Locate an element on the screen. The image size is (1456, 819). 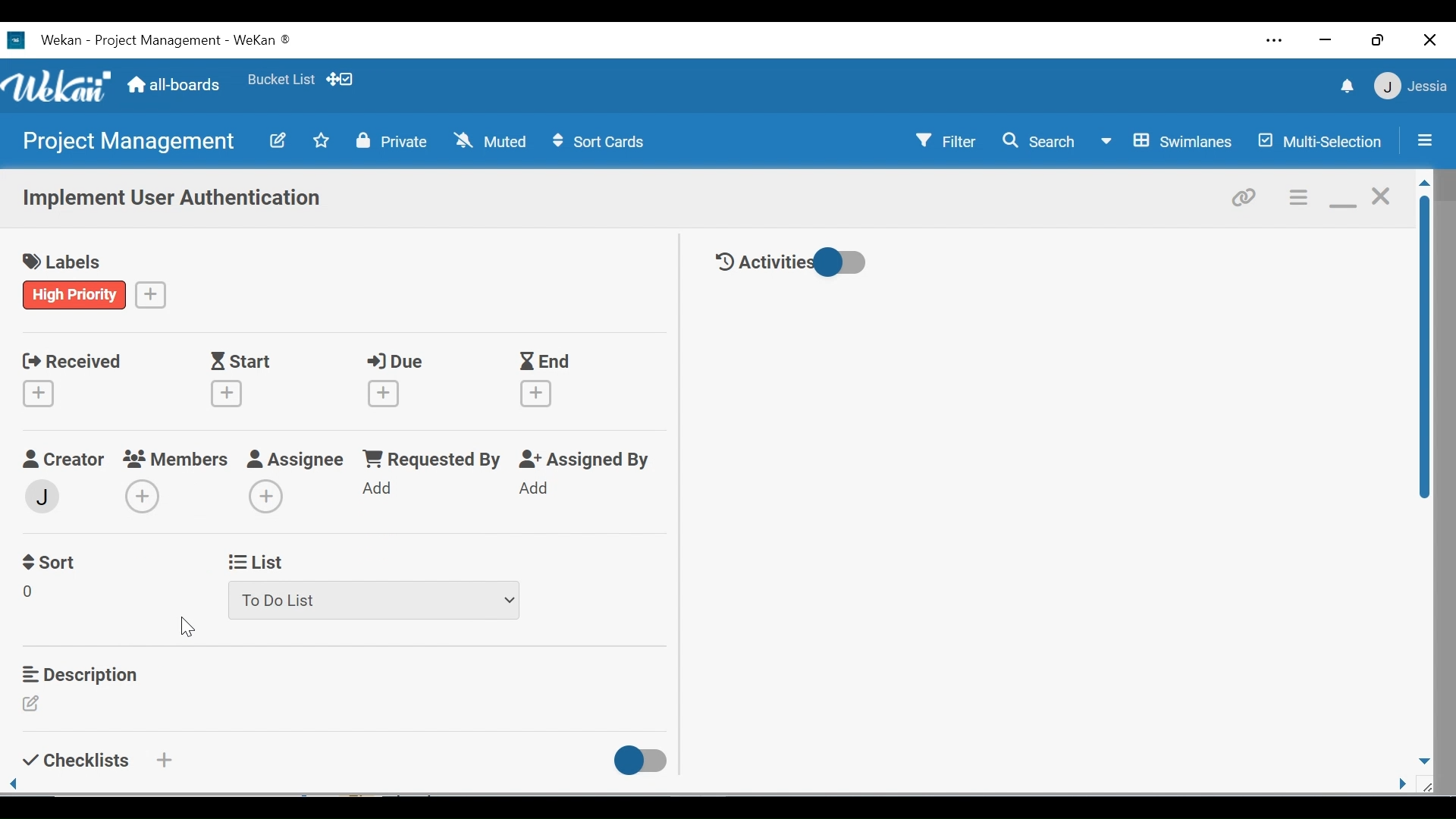
move left is located at coordinates (14, 785).